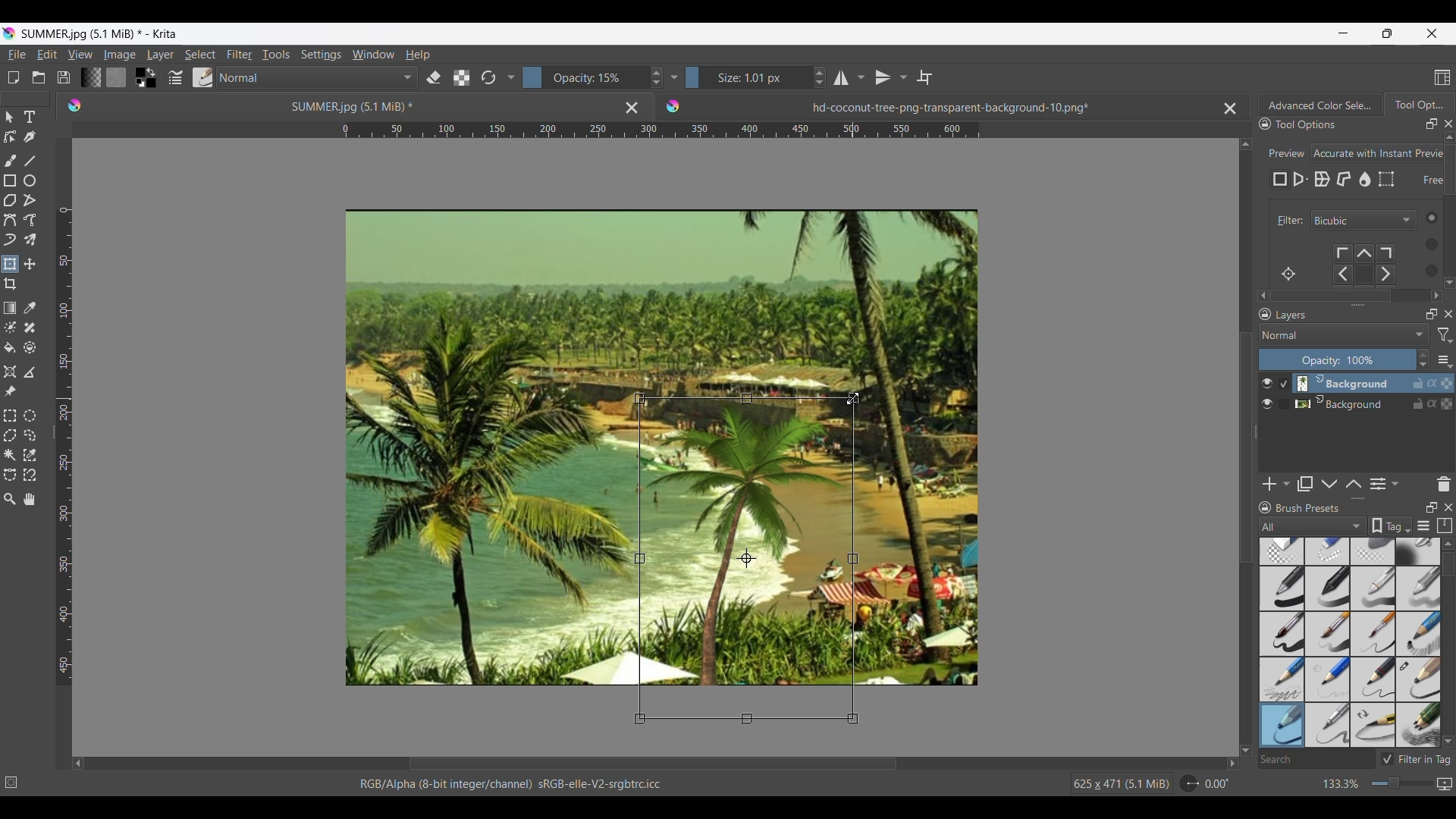 This screenshot has height=819, width=1456. I want to click on pencil 1 - hard, so click(1328, 679).